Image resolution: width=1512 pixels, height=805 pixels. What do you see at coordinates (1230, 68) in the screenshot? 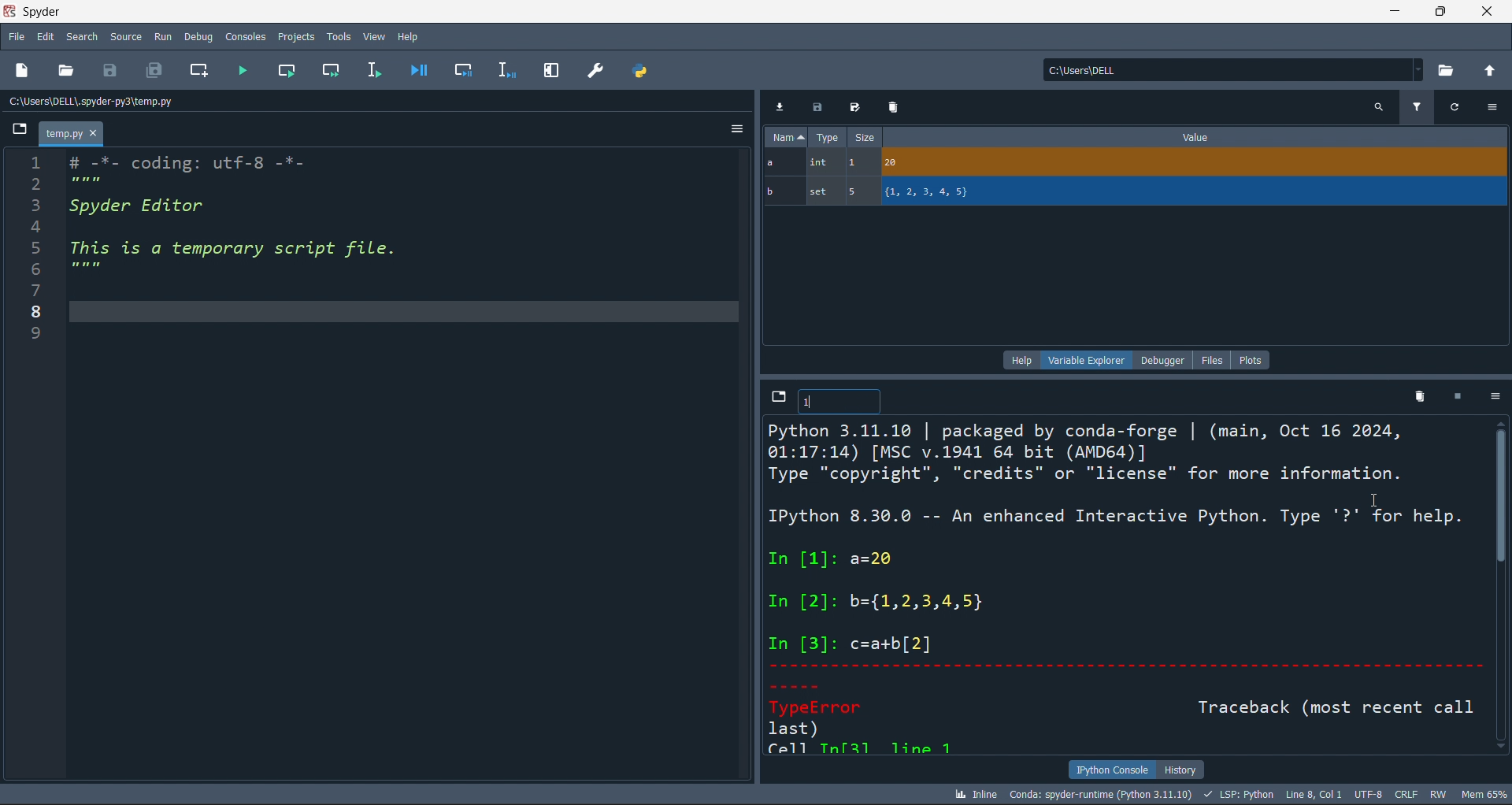
I see `c:\users\dell` at bounding box center [1230, 68].